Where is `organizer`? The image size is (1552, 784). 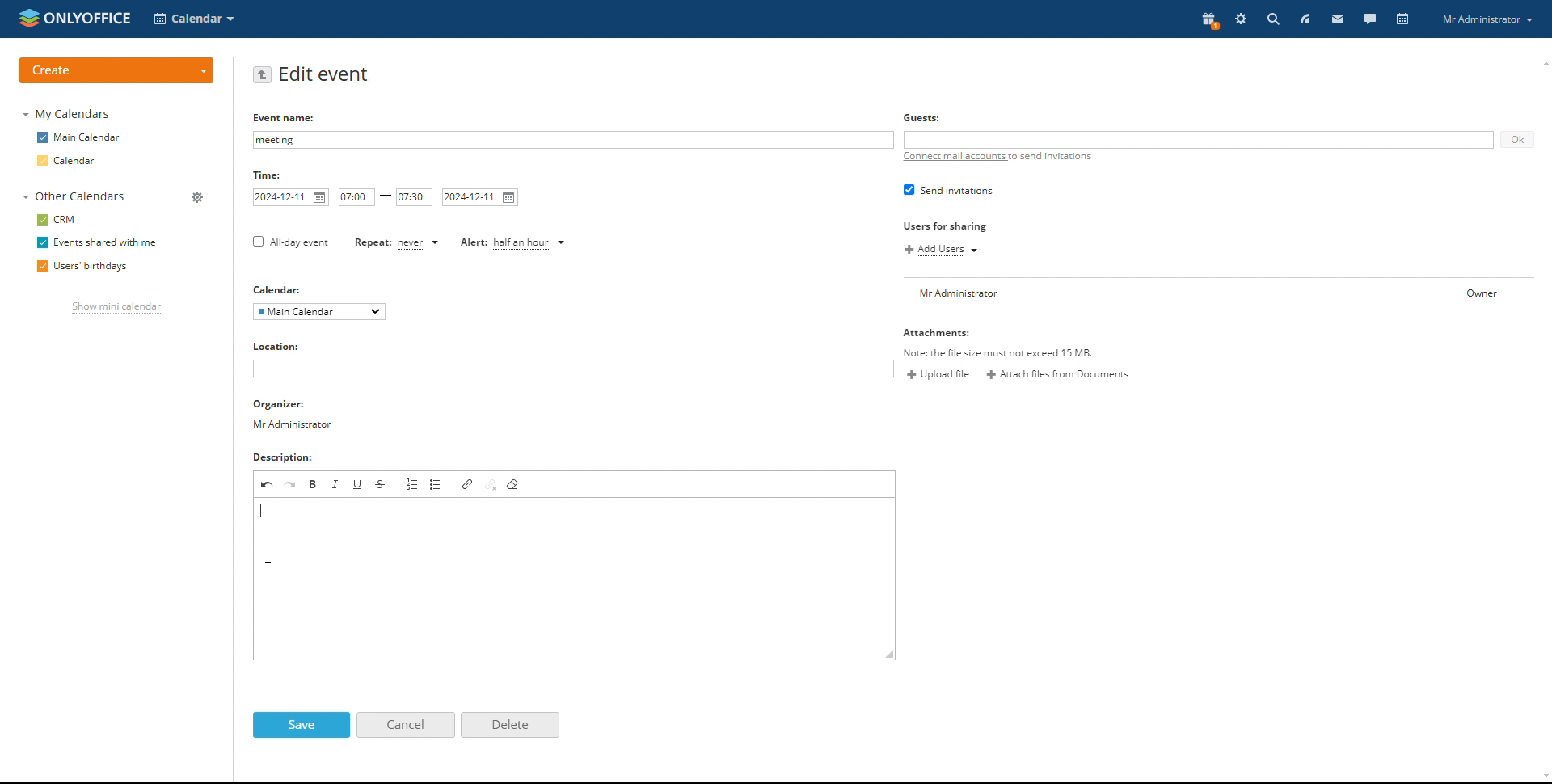 organizer is located at coordinates (296, 415).